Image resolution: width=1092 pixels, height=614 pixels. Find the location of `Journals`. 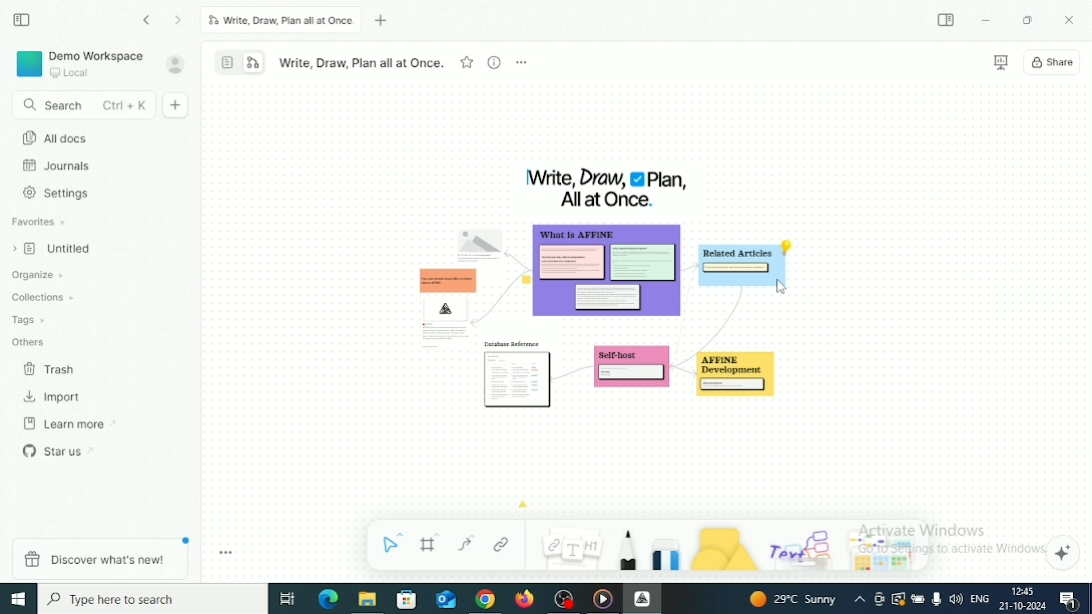

Journals is located at coordinates (58, 166).